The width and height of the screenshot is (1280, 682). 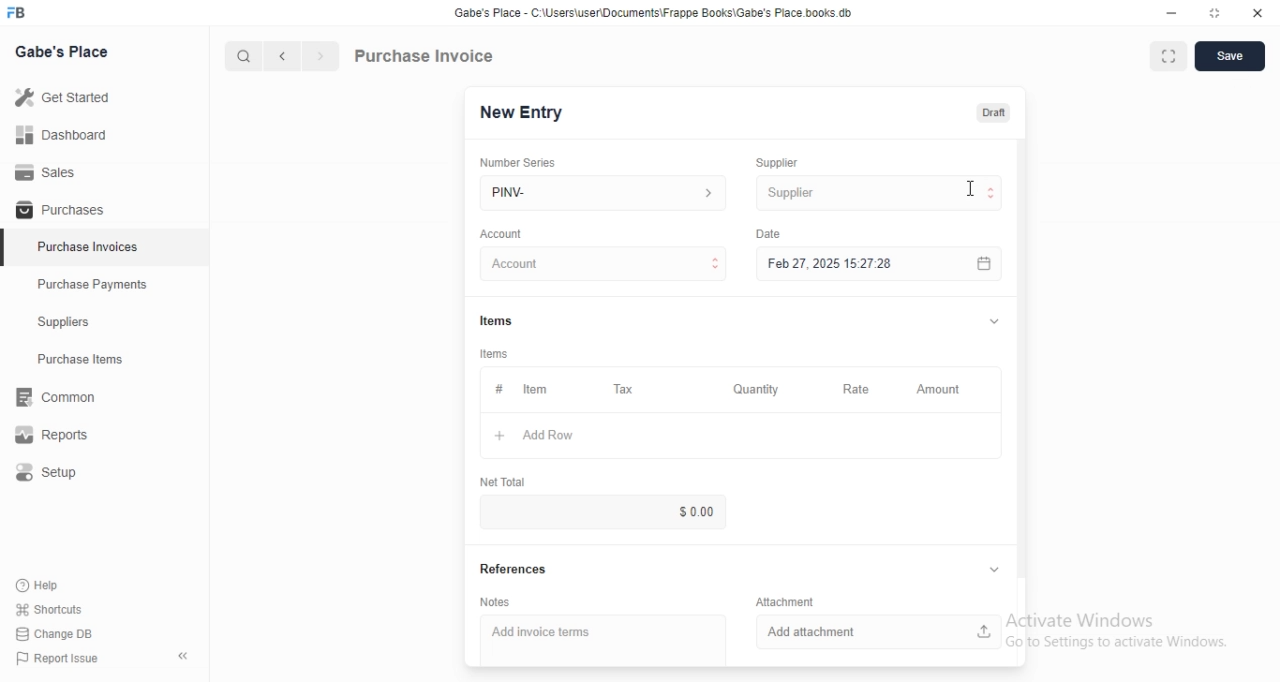 I want to click on Purchases, so click(x=104, y=208).